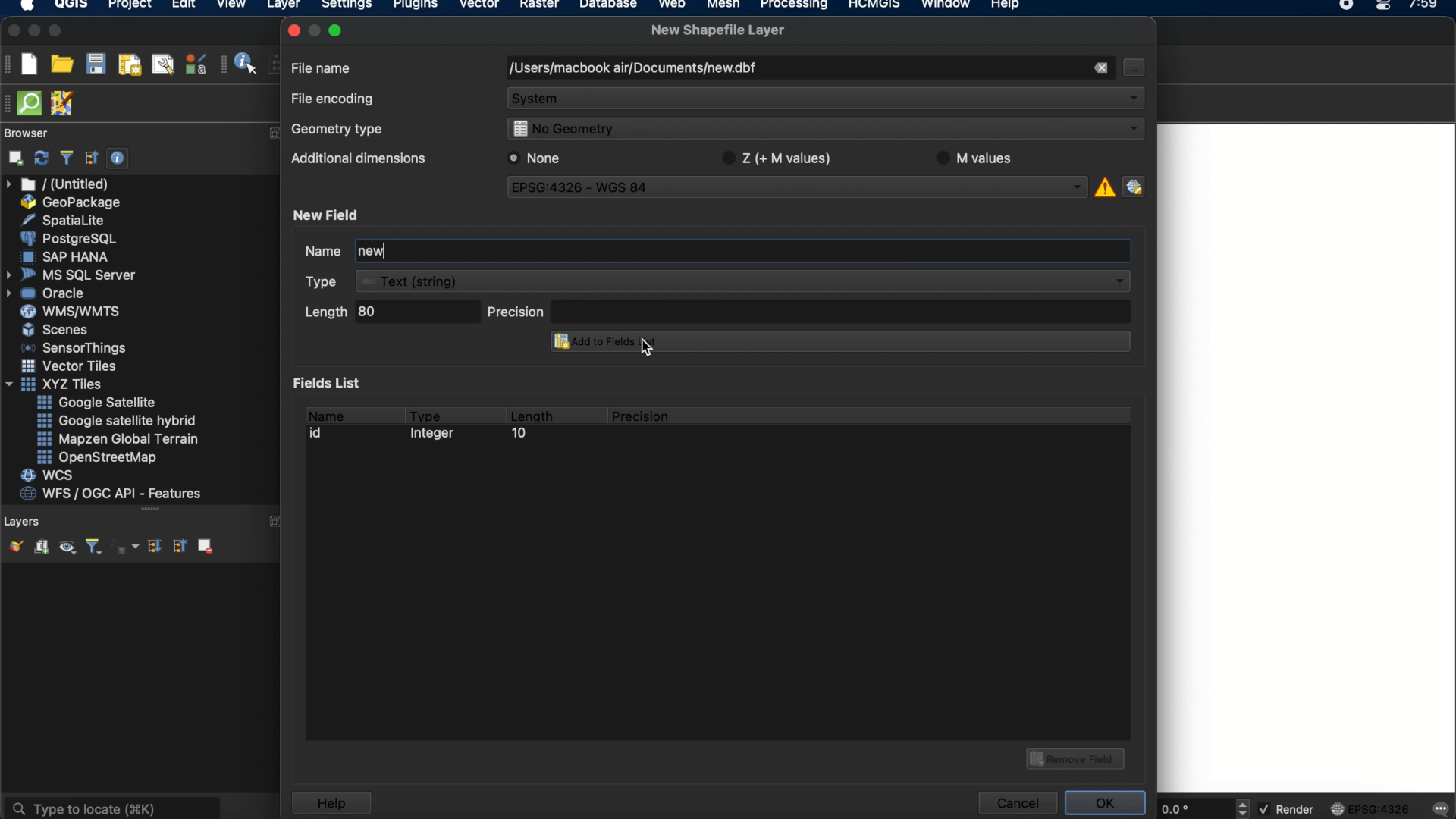 The height and width of the screenshot is (819, 1456). What do you see at coordinates (204, 545) in the screenshot?
I see `remove layer group` at bounding box center [204, 545].